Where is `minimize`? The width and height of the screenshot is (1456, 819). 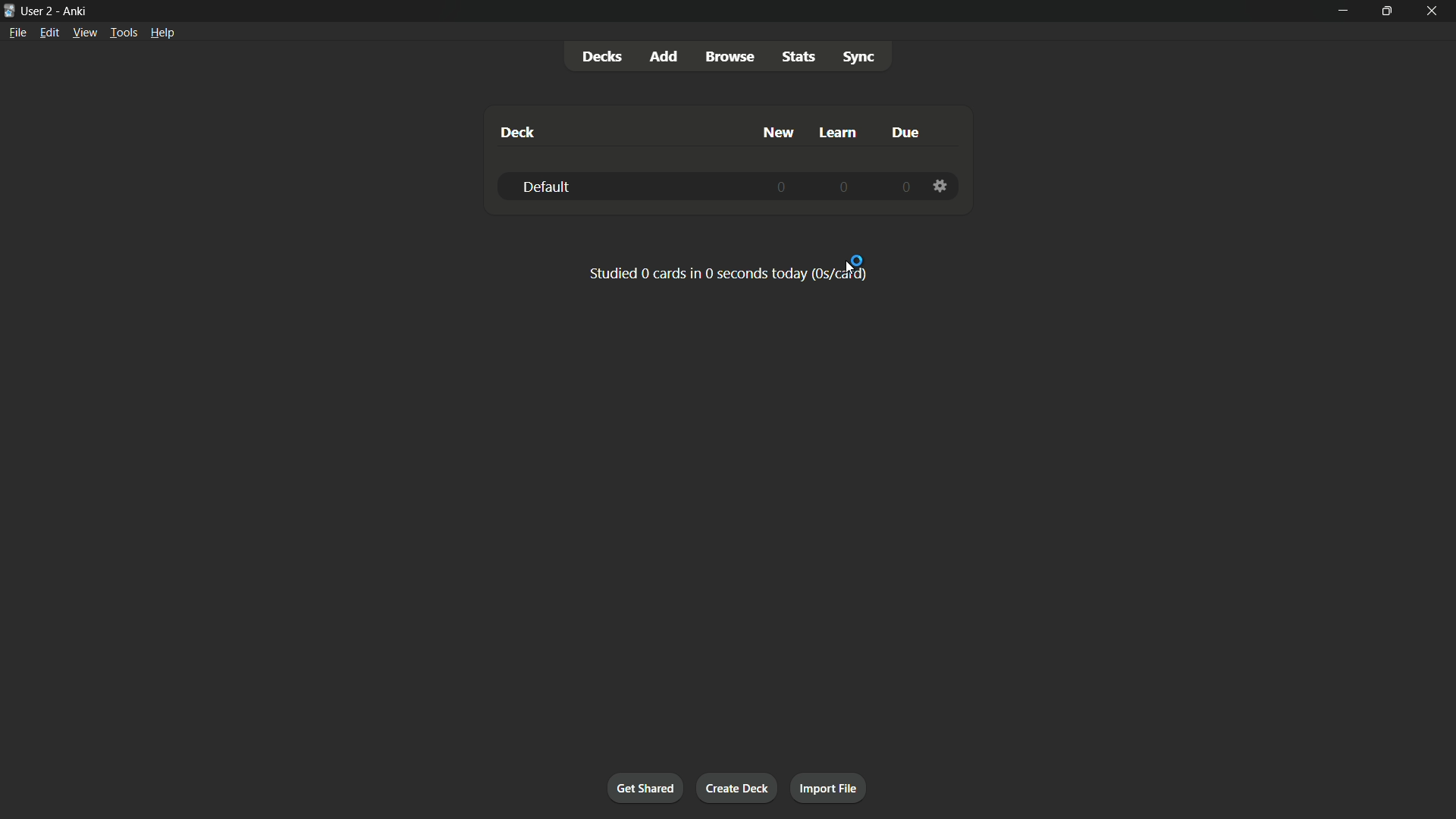
minimize is located at coordinates (1343, 11).